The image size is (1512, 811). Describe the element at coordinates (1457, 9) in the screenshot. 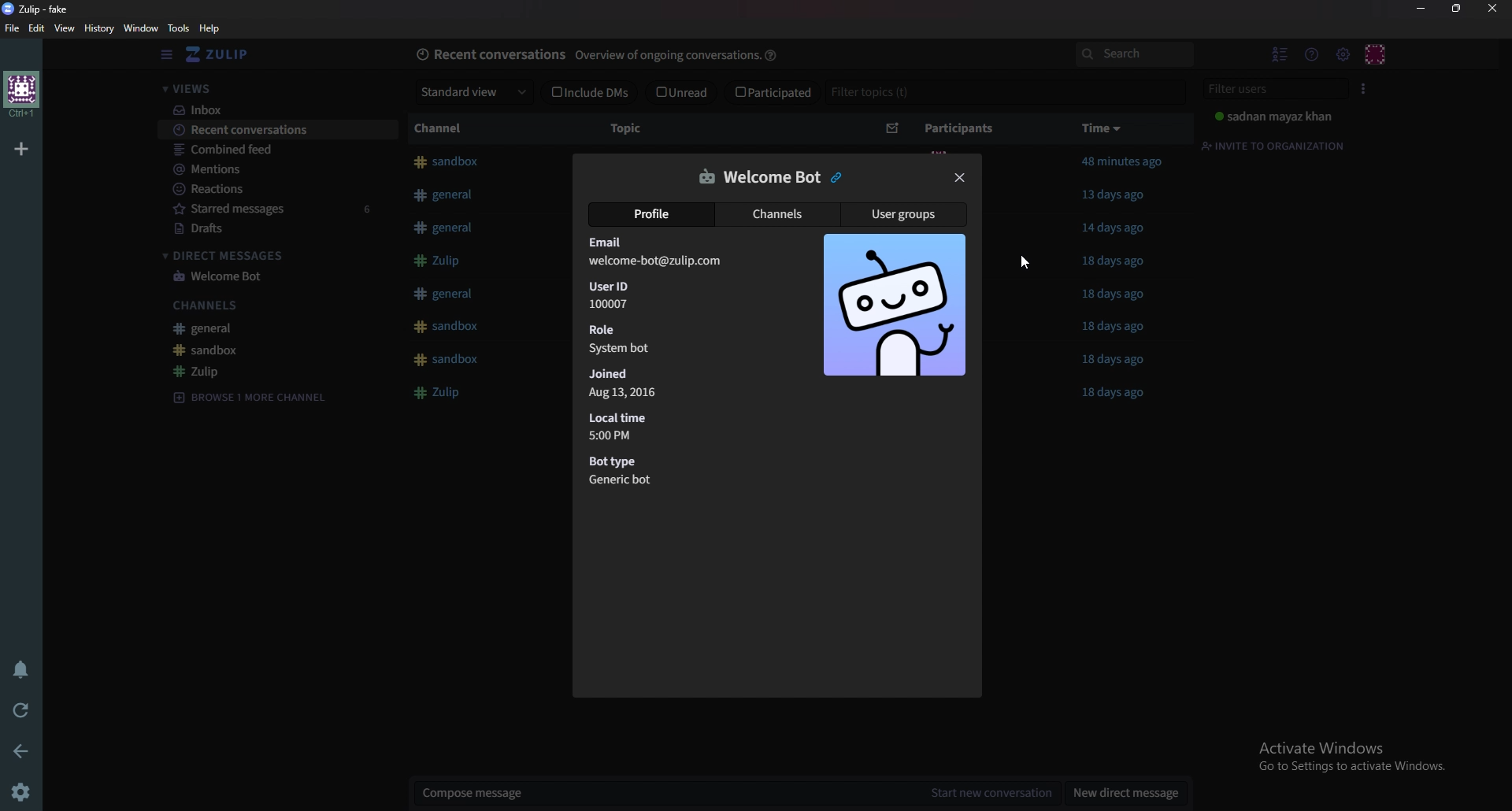

I see `Resize` at that location.